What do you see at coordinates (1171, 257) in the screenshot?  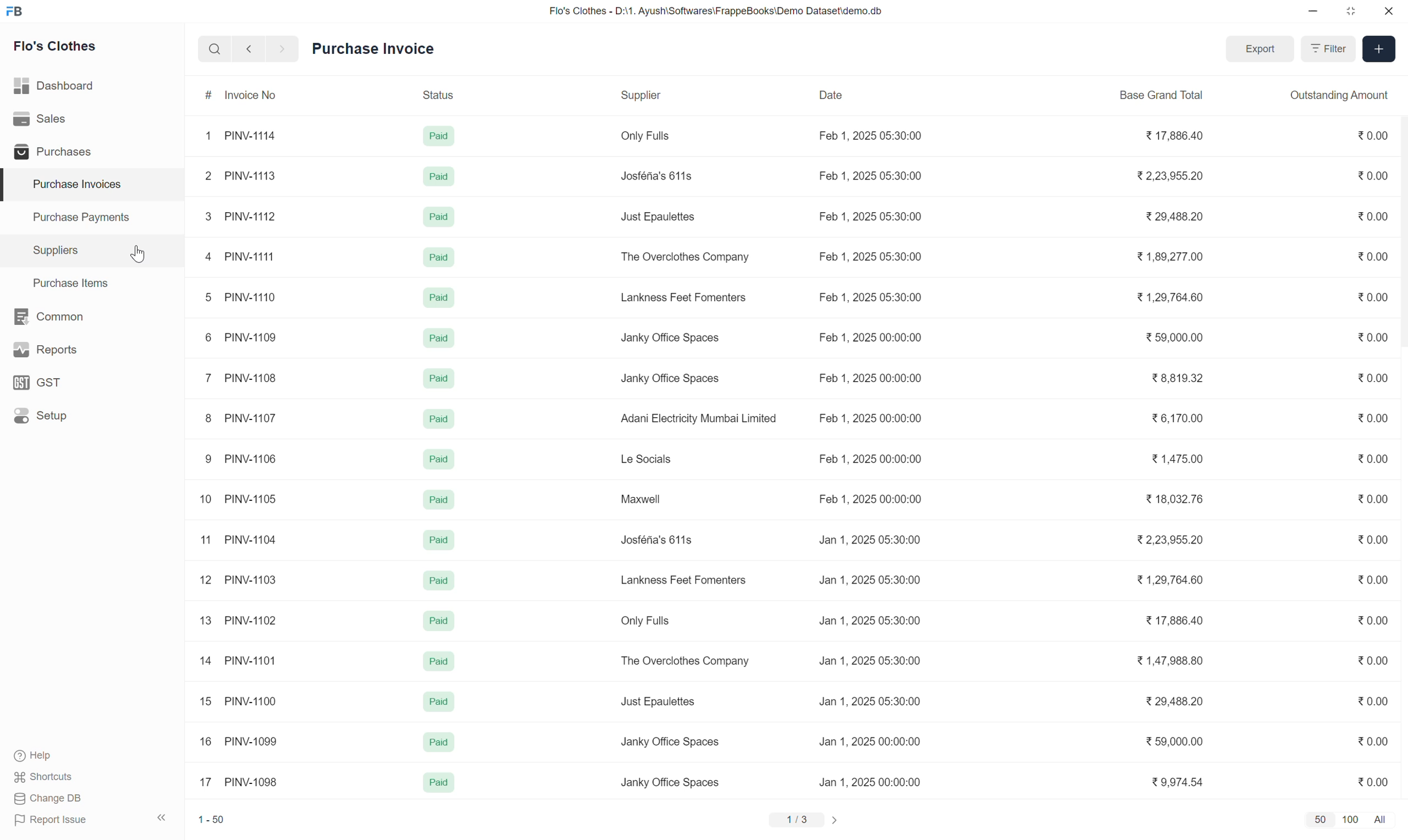 I see `1,89,277.00` at bounding box center [1171, 257].